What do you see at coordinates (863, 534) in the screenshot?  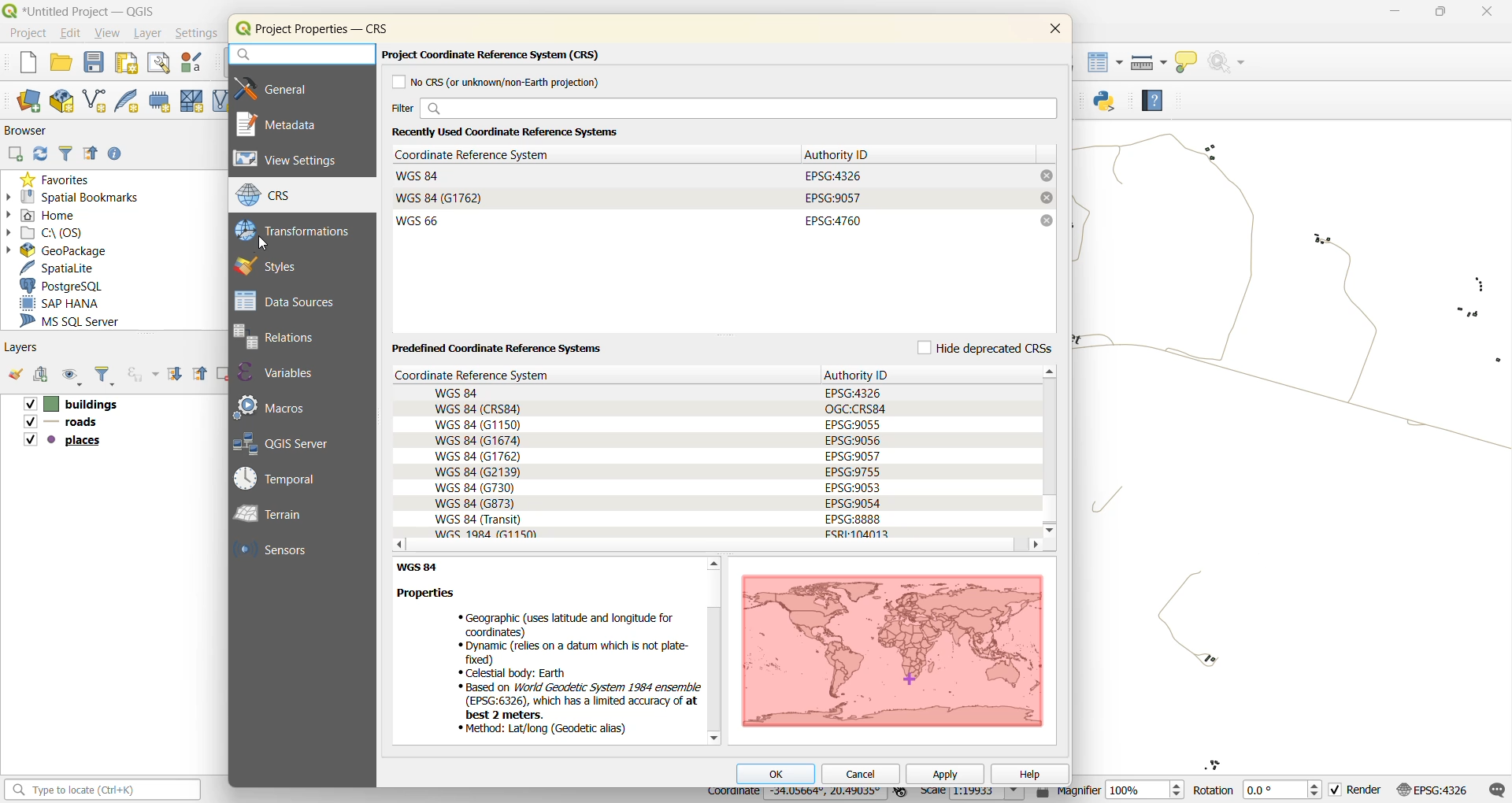 I see `ESRI-104013` at bounding box center [863, 534].